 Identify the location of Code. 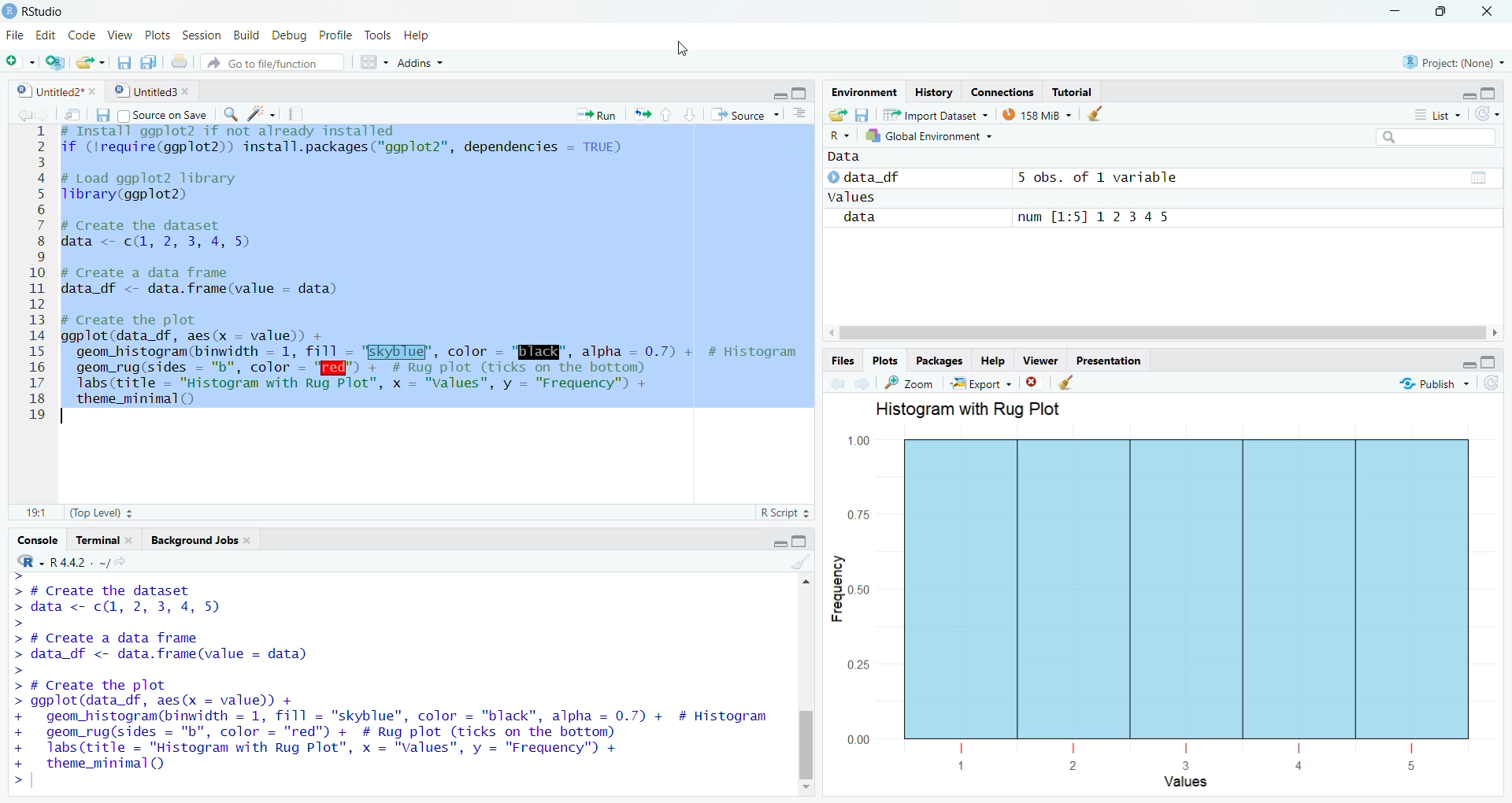
(81, 35).